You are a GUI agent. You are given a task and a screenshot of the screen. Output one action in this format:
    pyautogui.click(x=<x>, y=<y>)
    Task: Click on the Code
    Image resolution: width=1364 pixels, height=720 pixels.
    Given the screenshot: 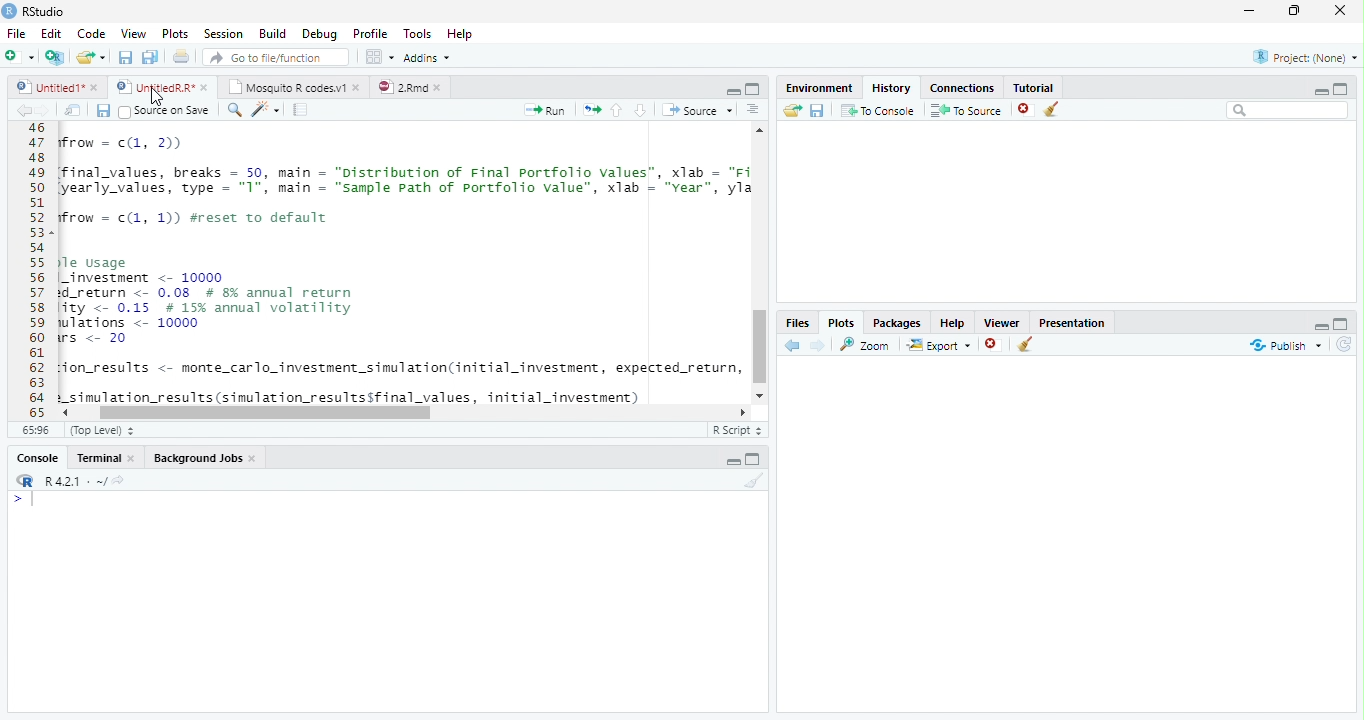 What is the action you would take?
    pyautogui.click(x=89, y=33)
    